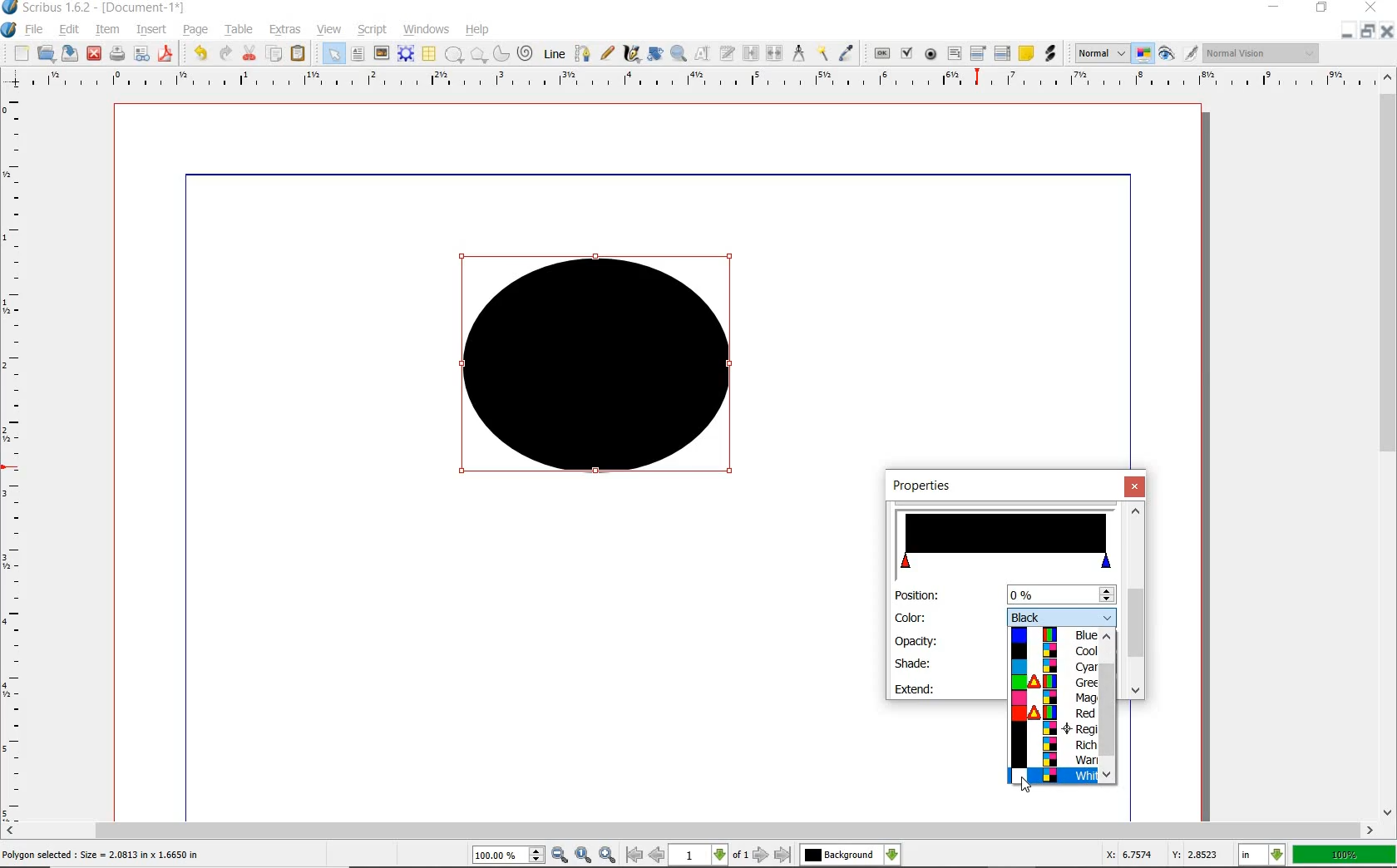  Describe the element at coordinates (634, 855) in the screenshot. I see `first` at that location.